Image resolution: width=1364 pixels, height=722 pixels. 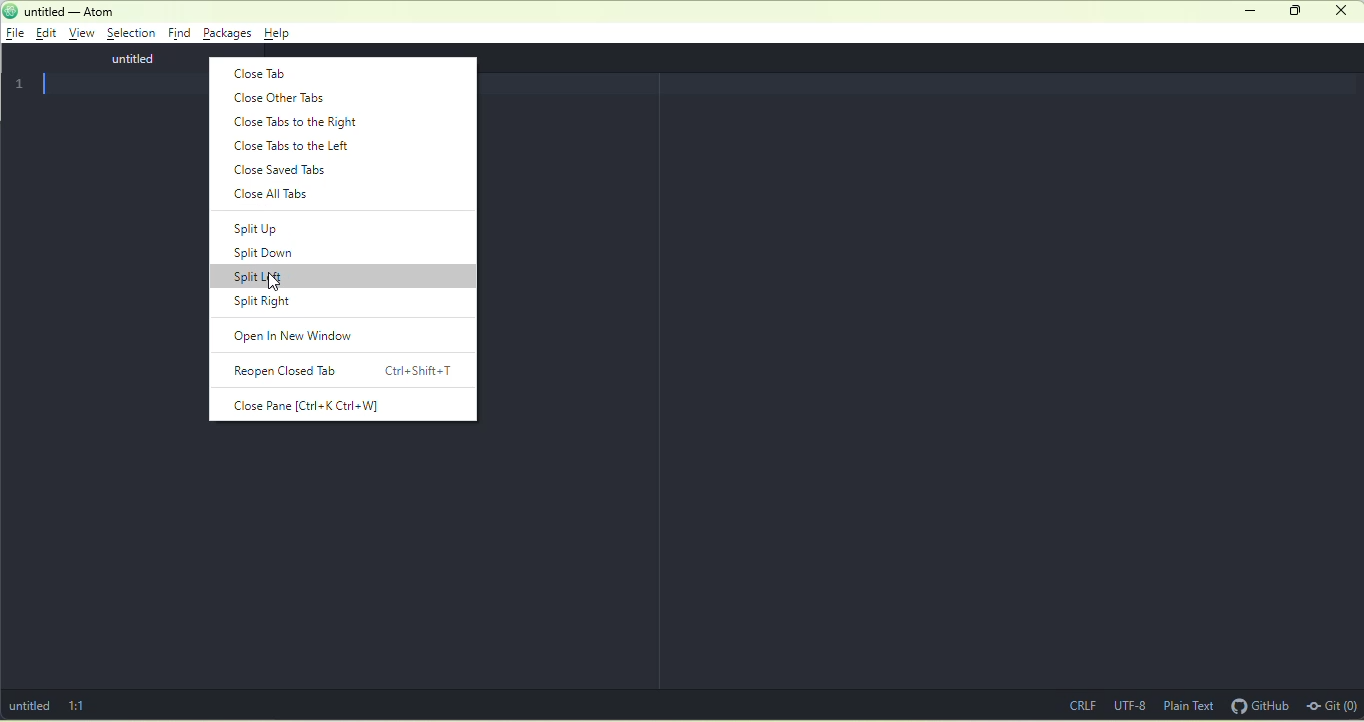 What do you see at coordinates (286, 197) in the screenshot?
I see `close all tabs` at bounding box center [286, 197].